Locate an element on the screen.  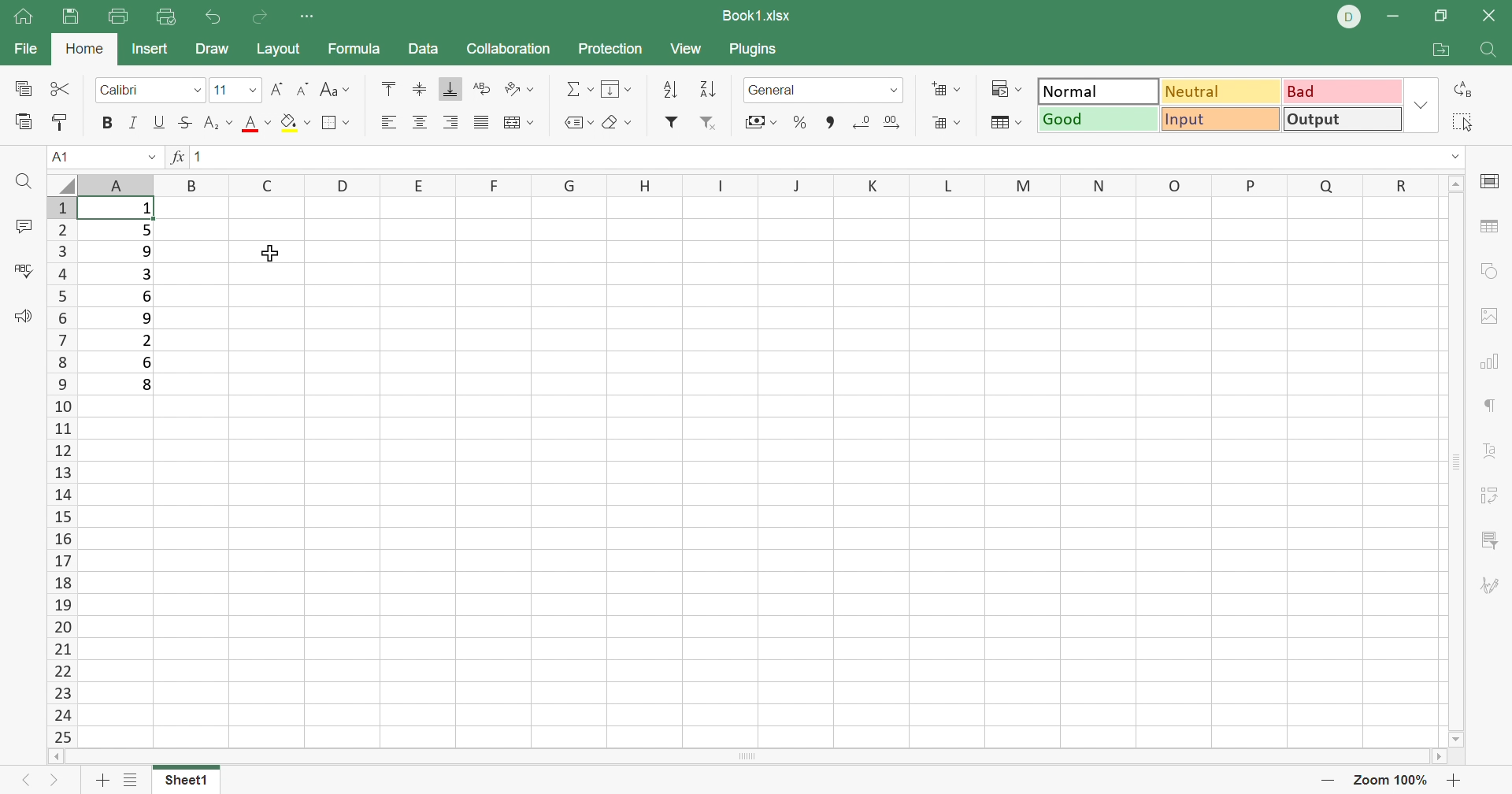
Formula is located at coordinates (352, 49).